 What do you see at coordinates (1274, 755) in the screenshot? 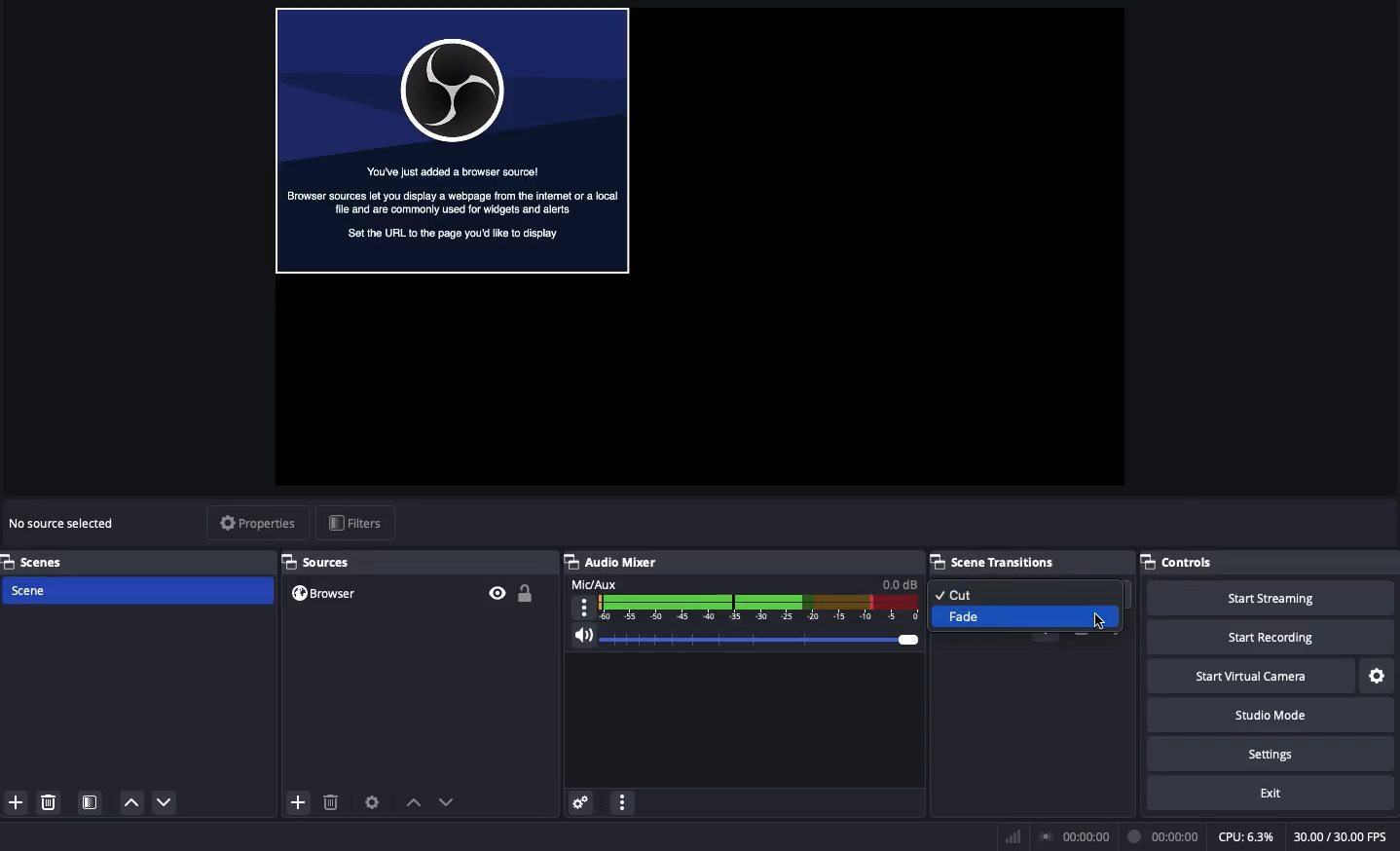
I see `Settings` at bounding box center [1274, 755].